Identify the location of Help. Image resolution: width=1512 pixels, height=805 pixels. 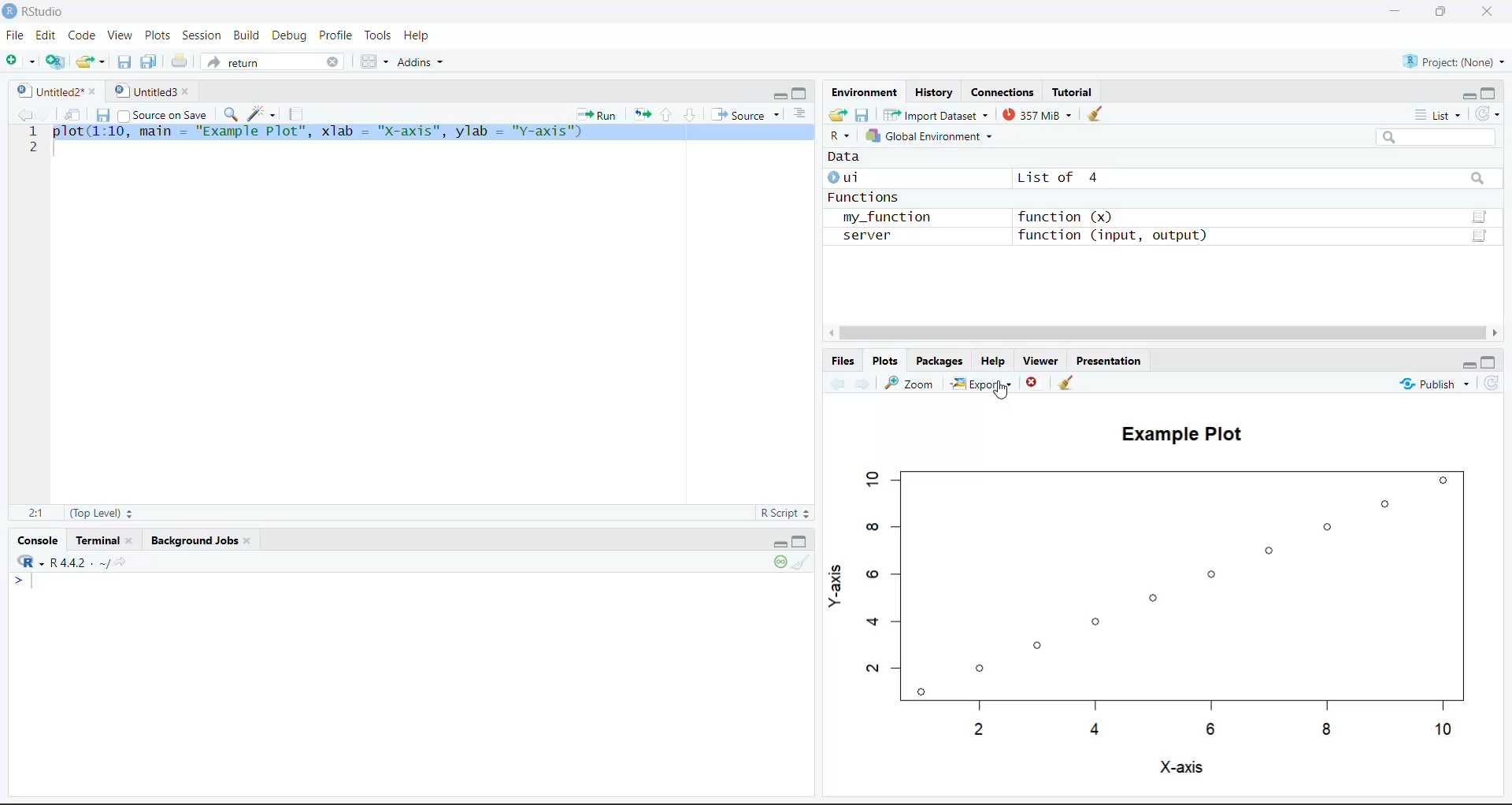
(996, 360).